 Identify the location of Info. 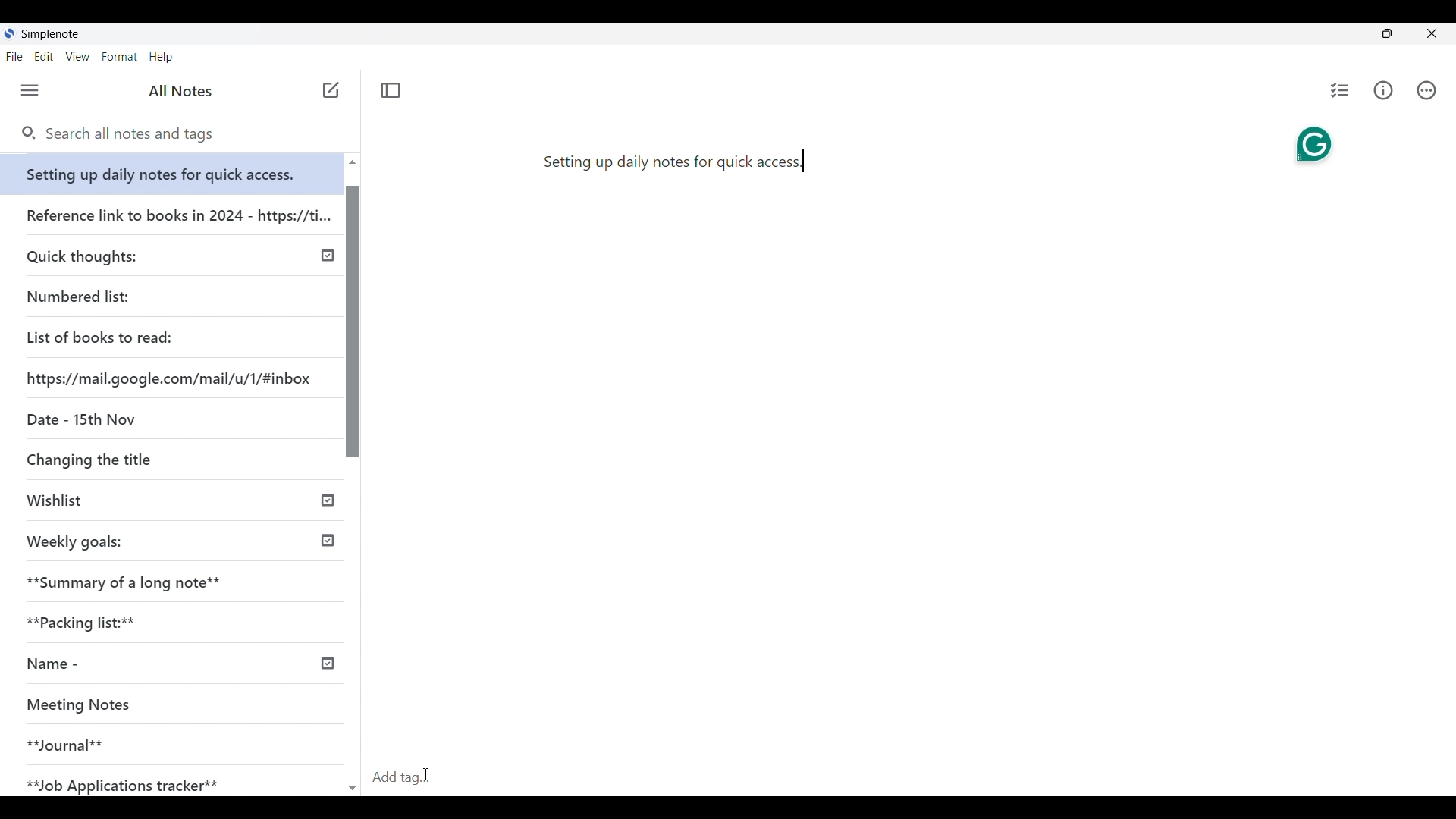
(1382, 91).